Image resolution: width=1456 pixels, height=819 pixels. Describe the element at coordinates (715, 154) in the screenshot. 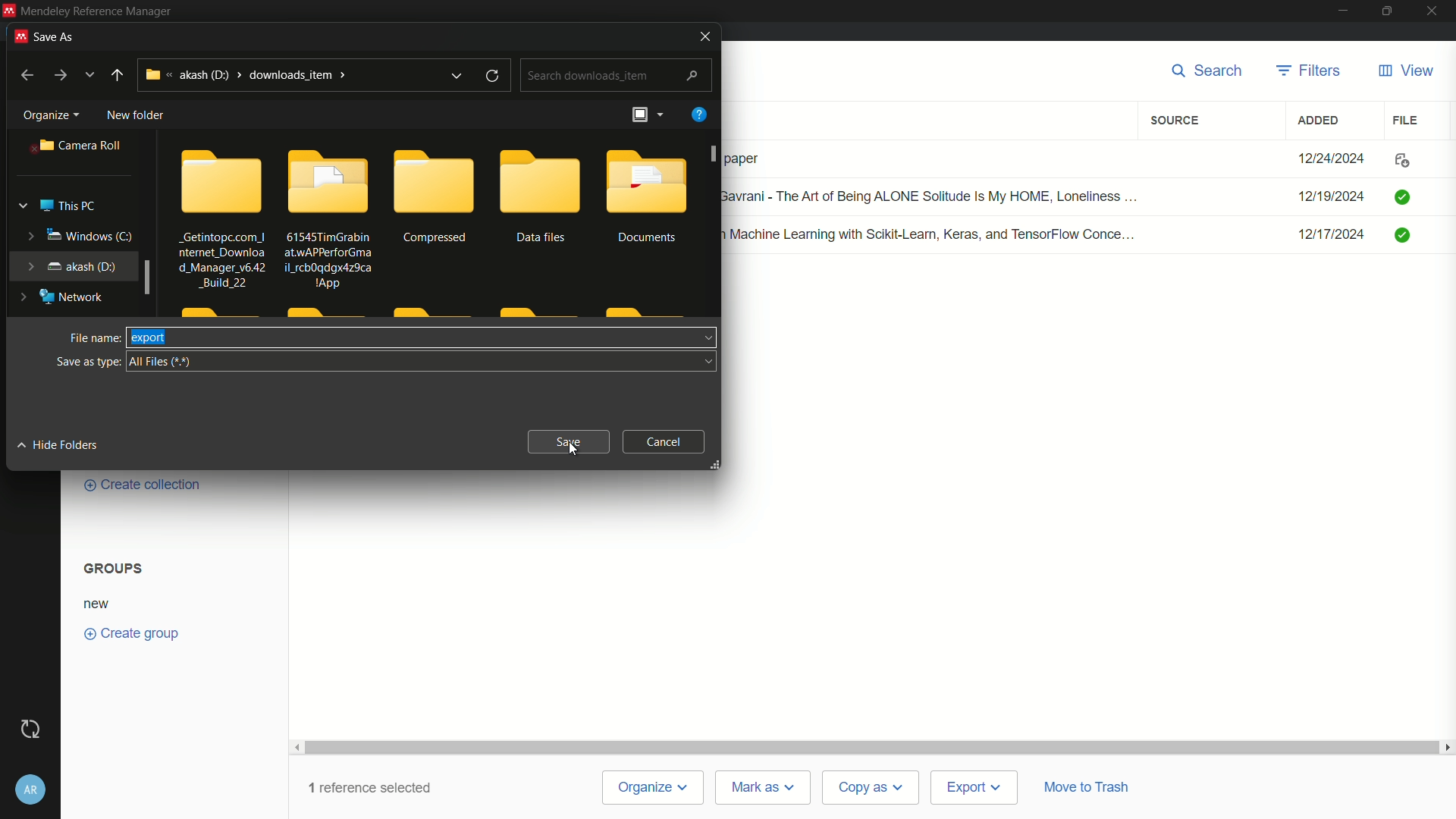

I see `scroll bar` at that location.